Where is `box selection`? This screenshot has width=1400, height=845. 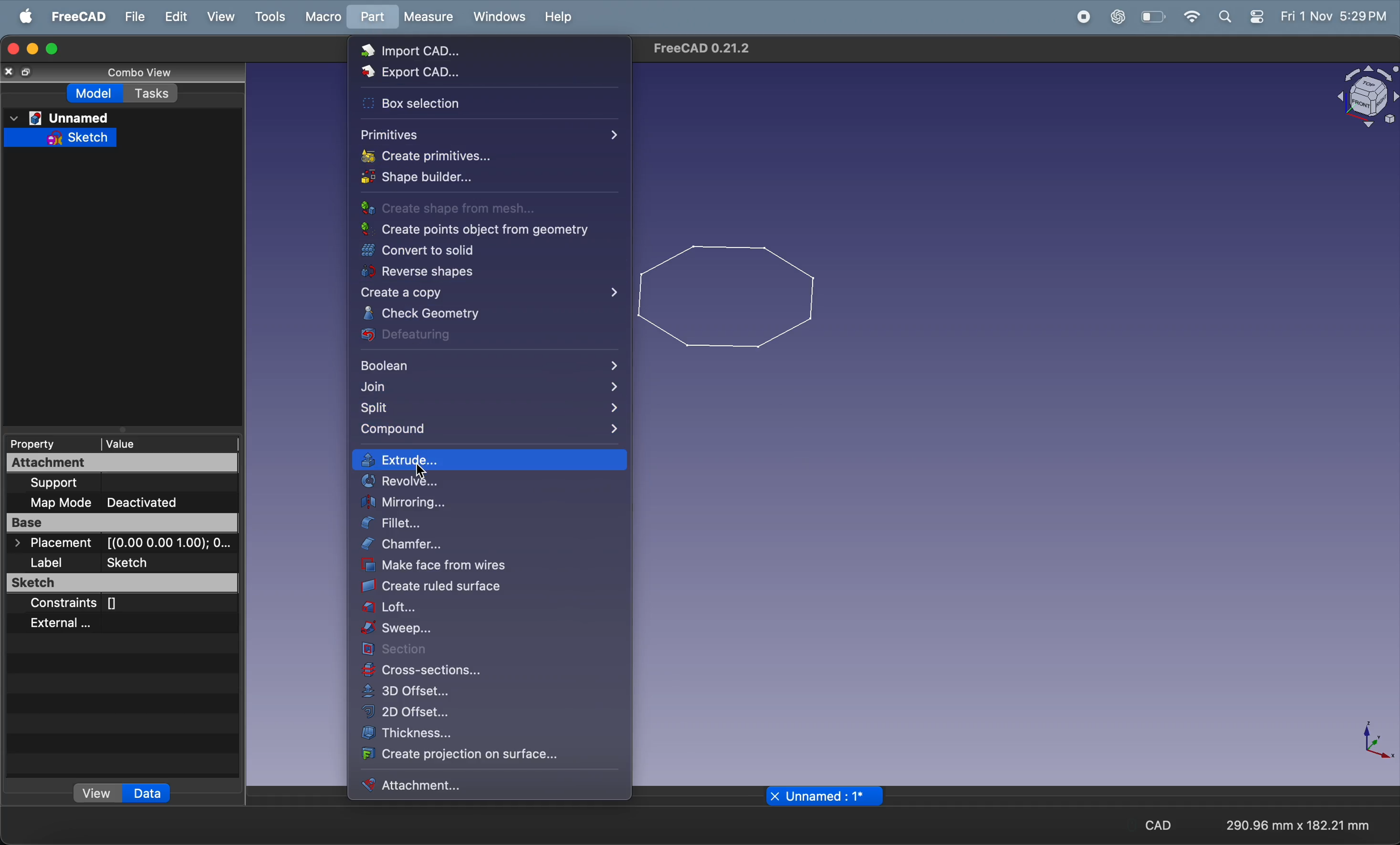
box selection is located at coordinates (438, 104).